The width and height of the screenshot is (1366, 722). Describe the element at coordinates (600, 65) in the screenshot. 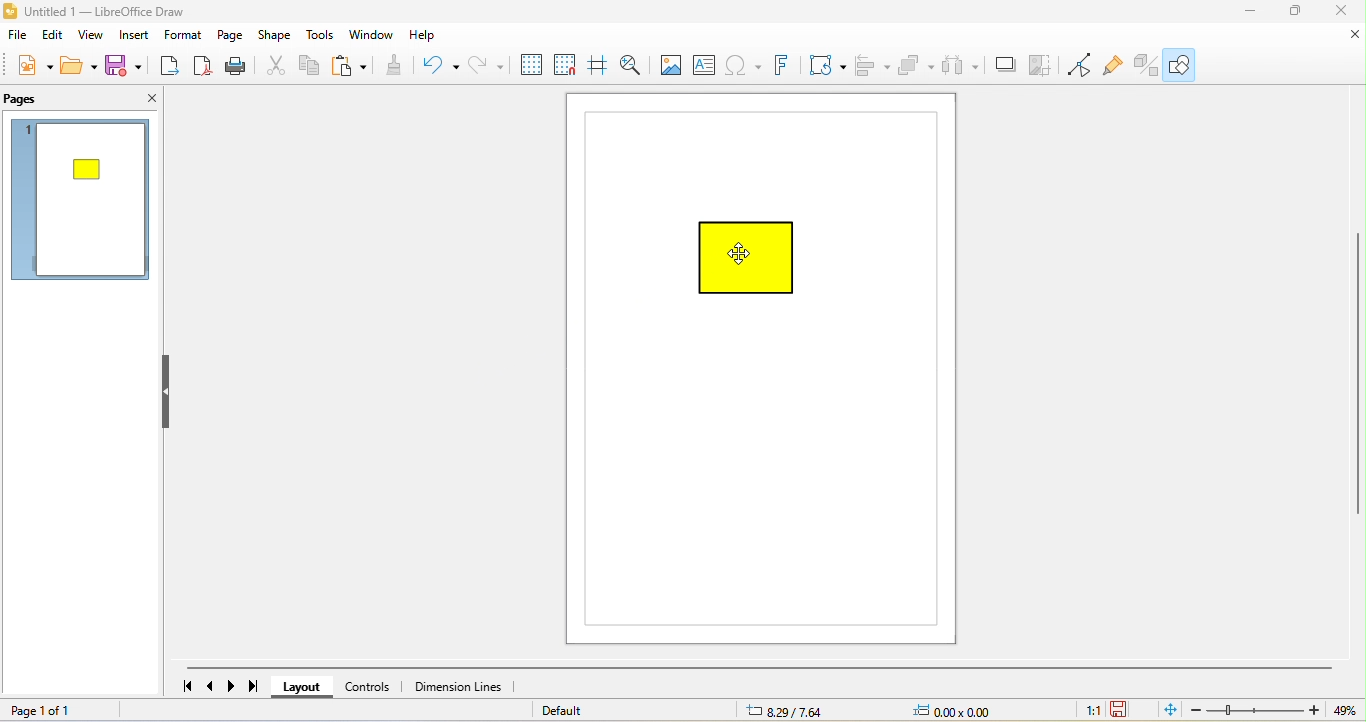

I see `helpline while moving` at that location.